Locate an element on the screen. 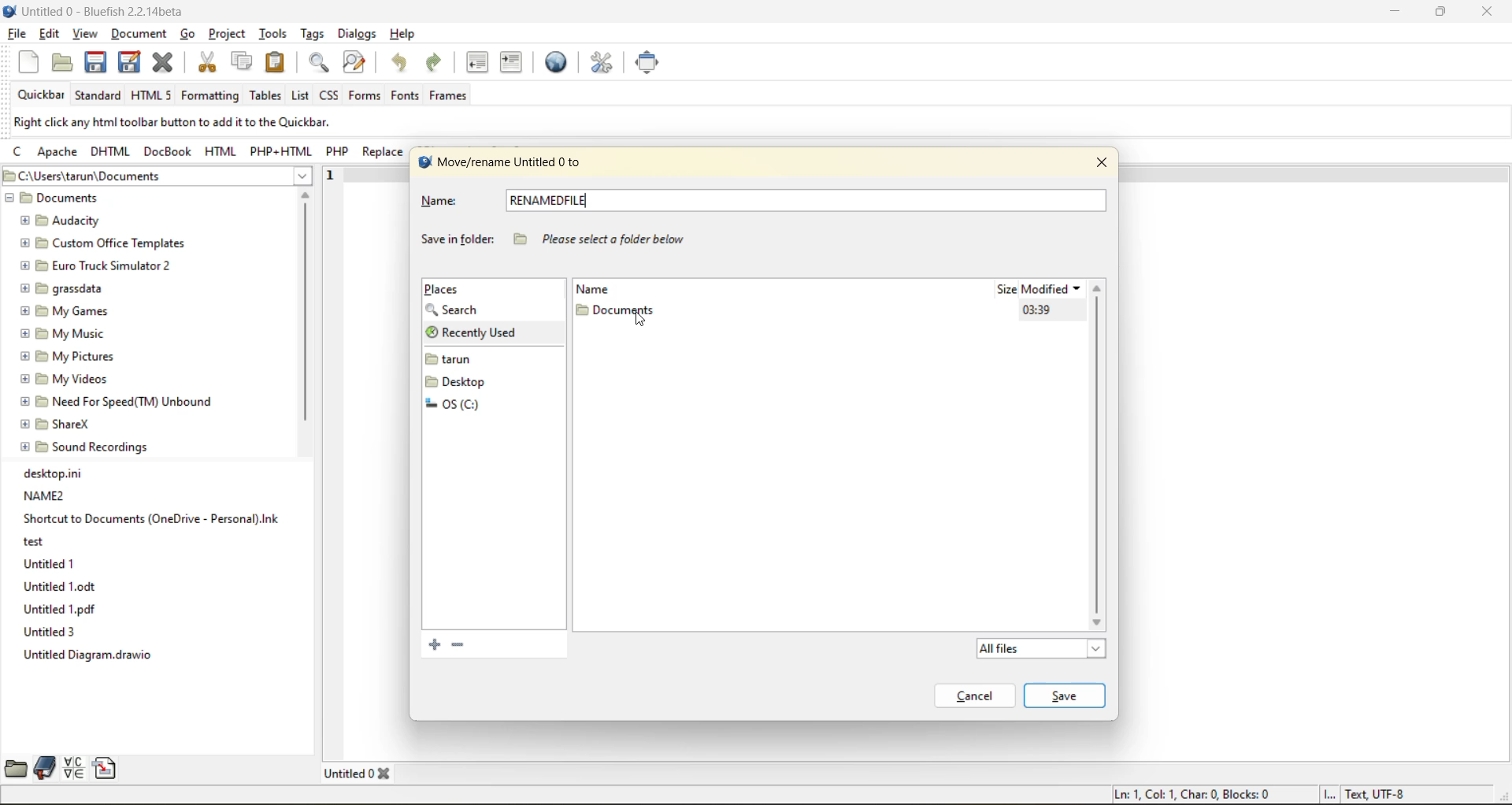 The height and width of the screenshot is (805, 1512). My Videos is located at coordinates (68, 380).